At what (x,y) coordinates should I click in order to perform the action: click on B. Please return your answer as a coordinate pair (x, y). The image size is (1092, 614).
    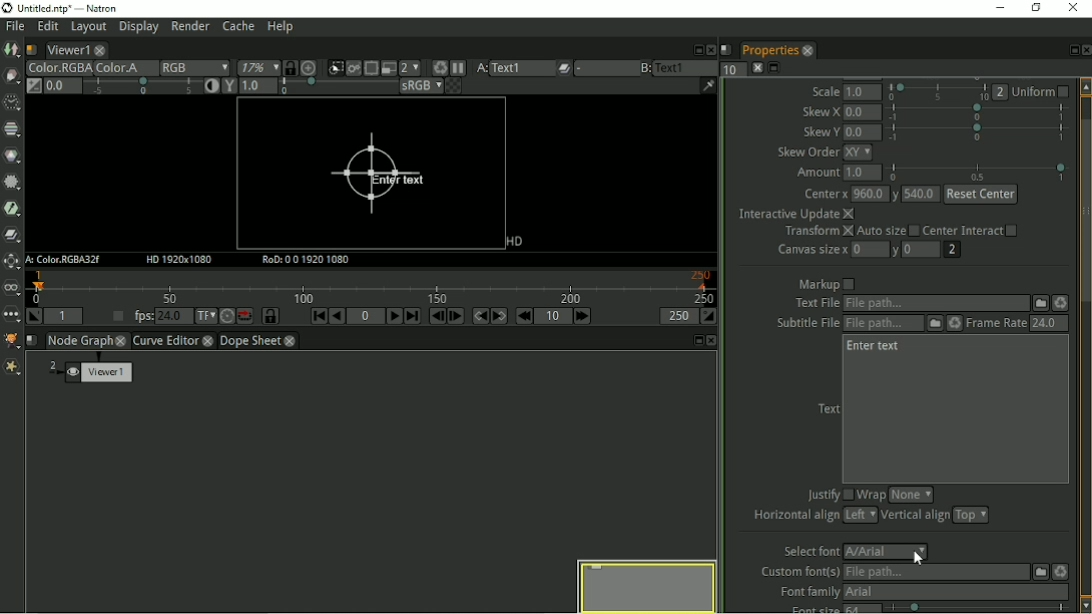
    Looking at the image, I should click on (644, 68).